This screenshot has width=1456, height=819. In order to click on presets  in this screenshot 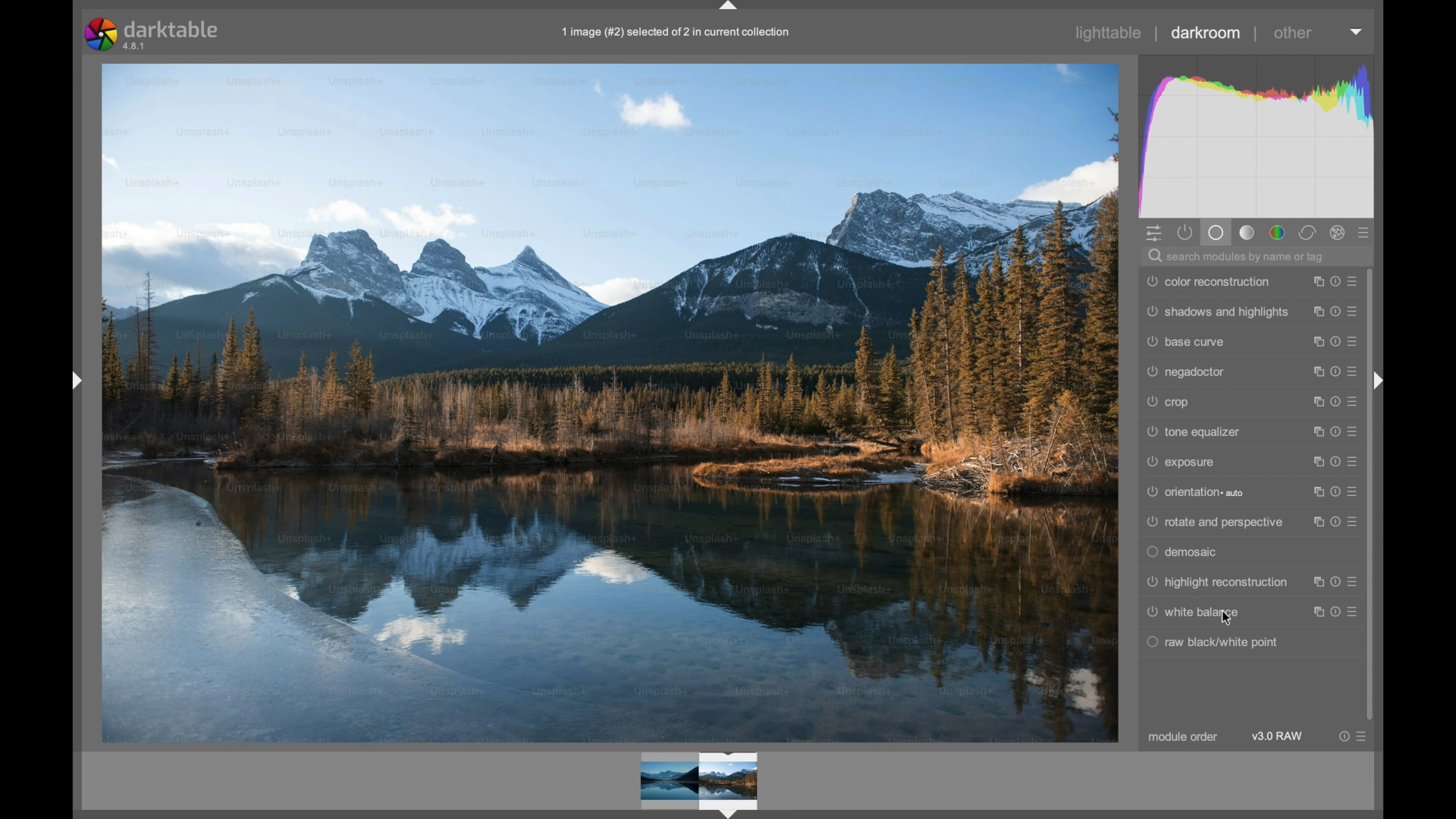, I will do `click(1353, 461)`.